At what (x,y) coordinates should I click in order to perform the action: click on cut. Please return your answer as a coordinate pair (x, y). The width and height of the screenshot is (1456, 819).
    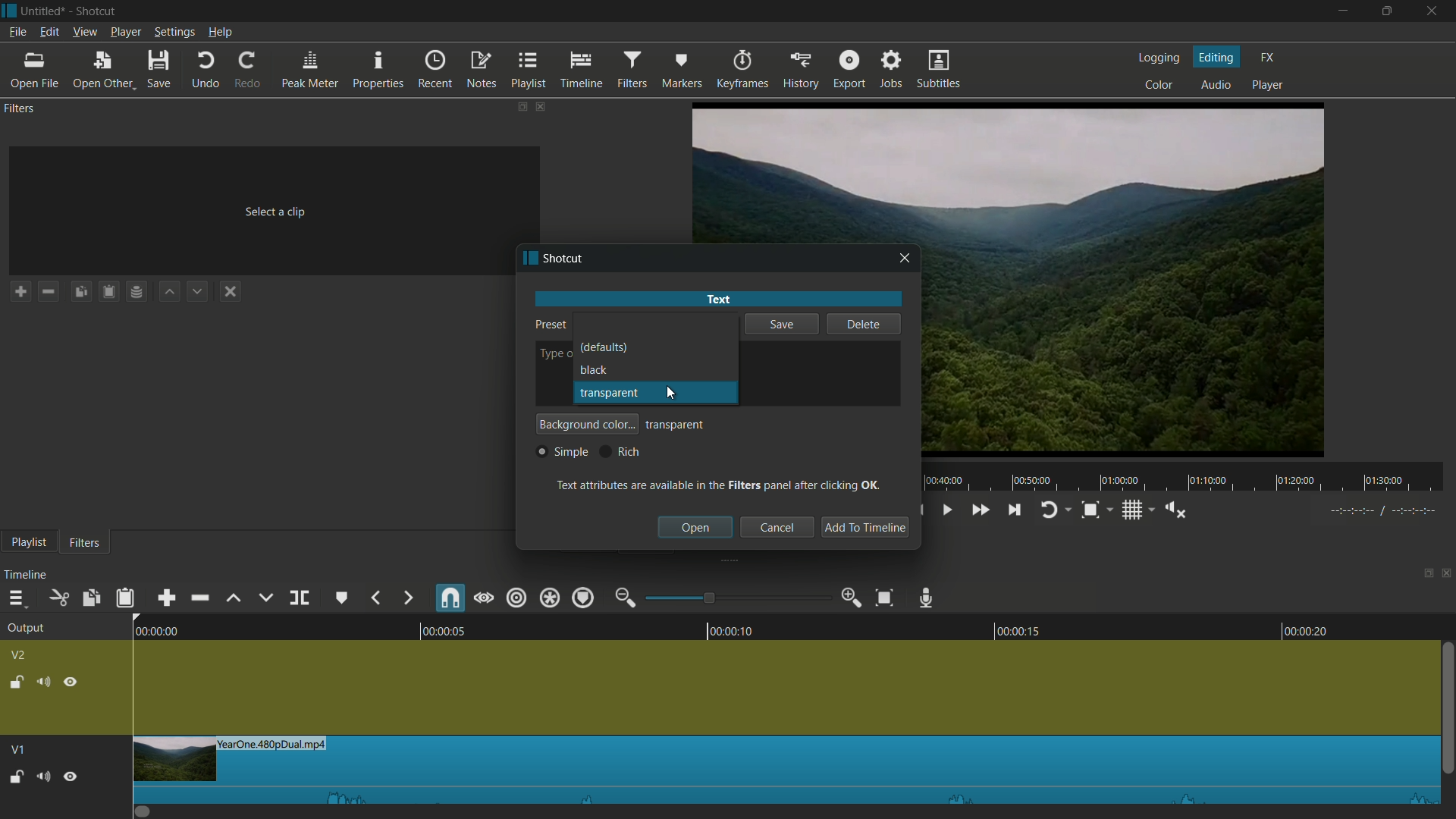
    Looking at the image, I should click on (60, 598).